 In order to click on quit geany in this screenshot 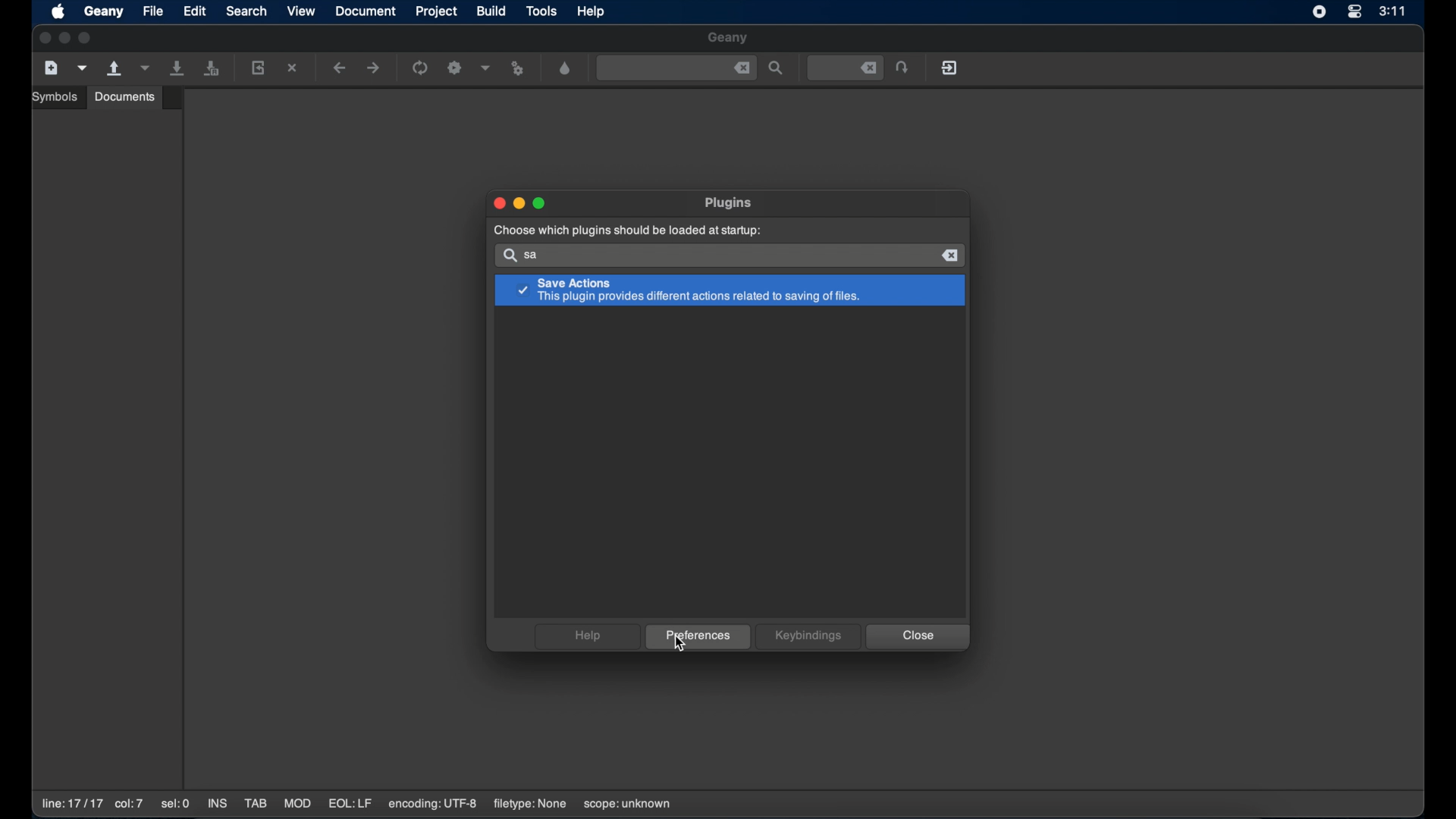, I will do `click(951, 67)`.